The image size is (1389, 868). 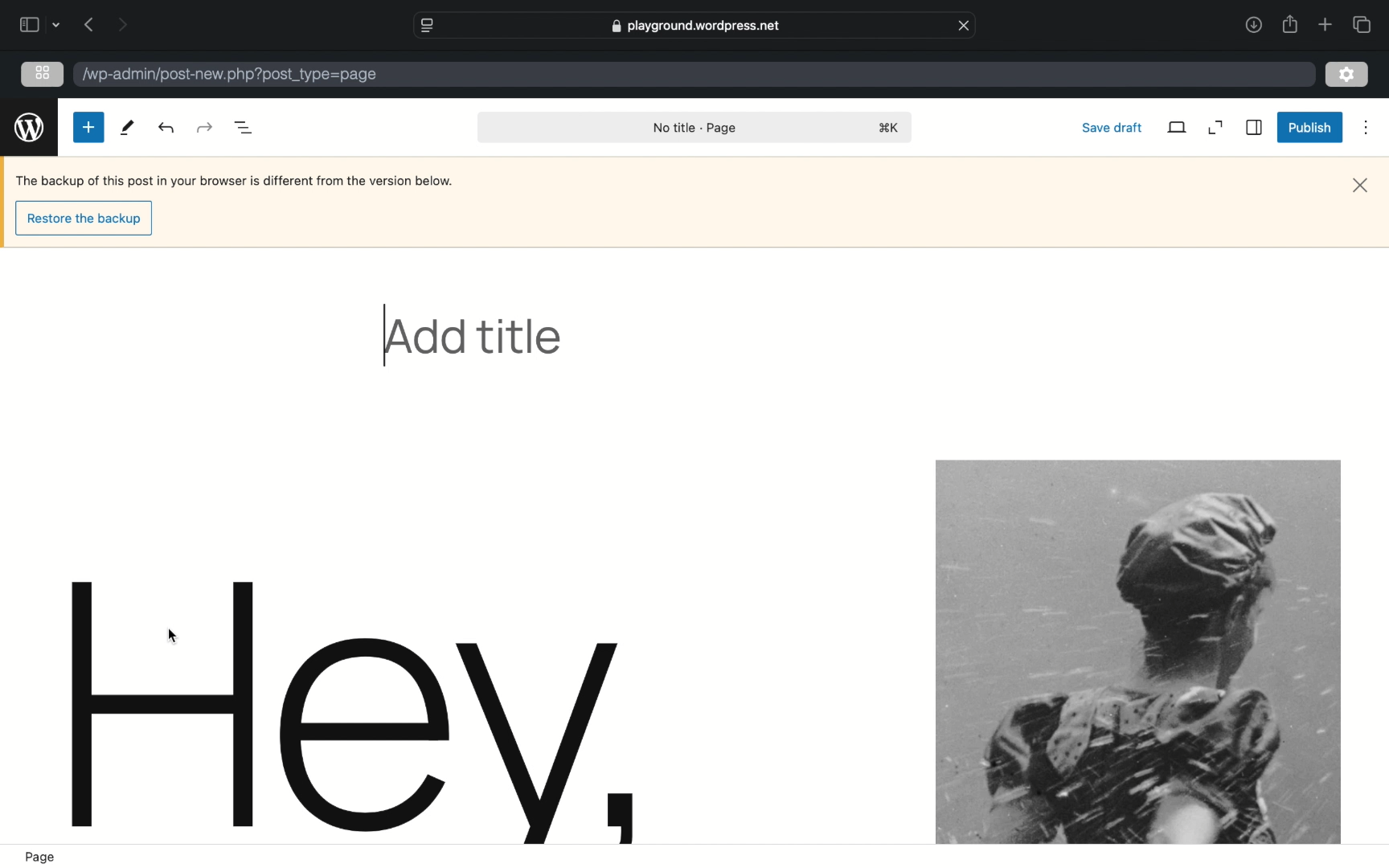 I want to click on expand, so click(x=1215, y=127).